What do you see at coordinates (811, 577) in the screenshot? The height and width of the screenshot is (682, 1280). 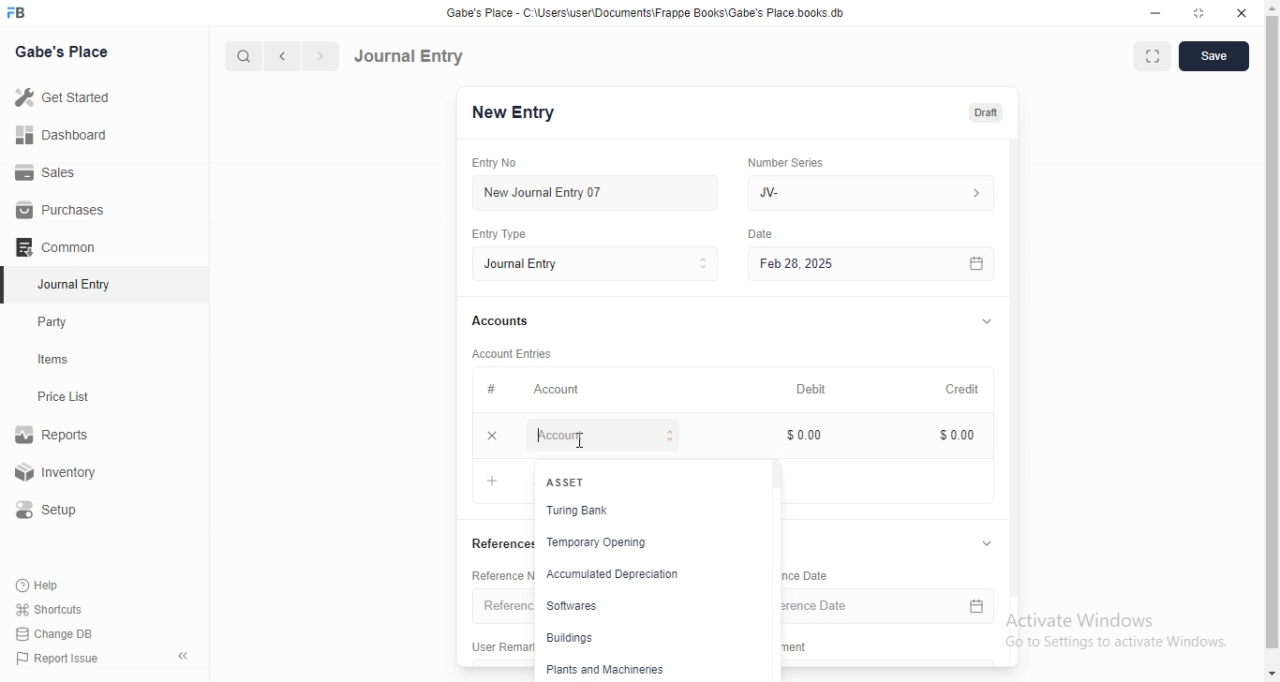 I see `‘Reference Date` at bounding box center [811, 577].